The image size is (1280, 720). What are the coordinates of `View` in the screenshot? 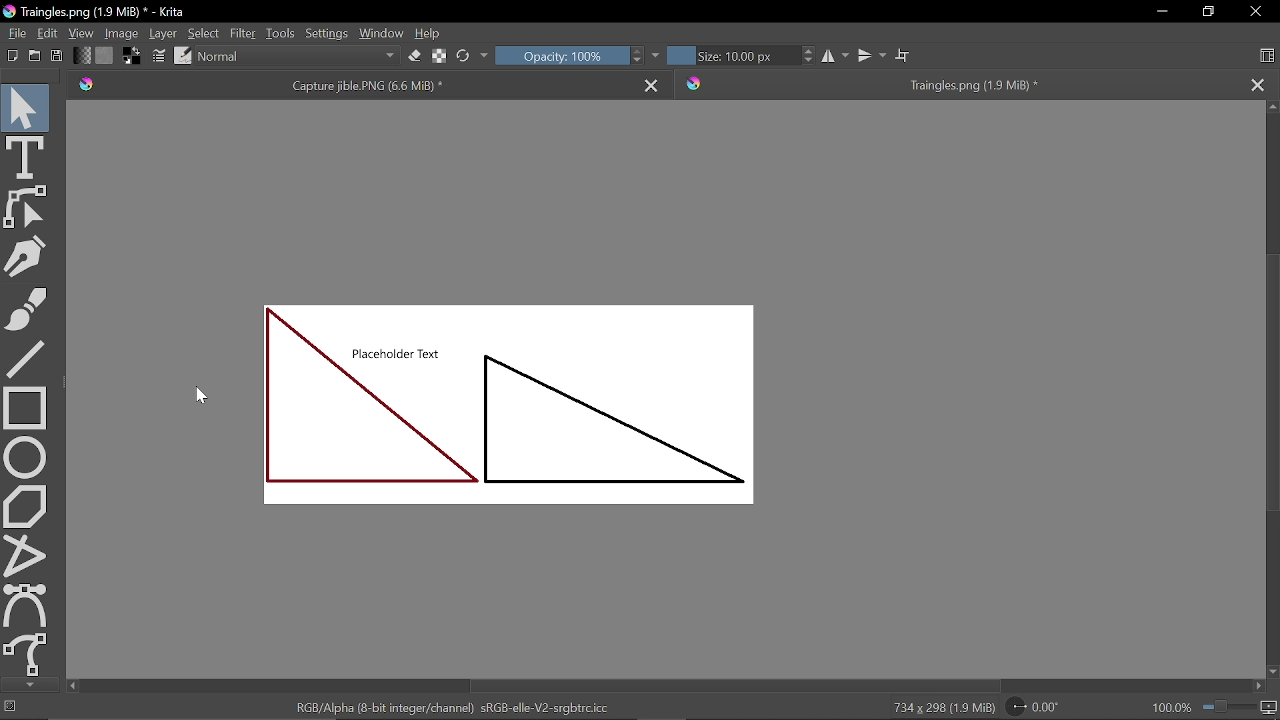 It's located at (80, 33).